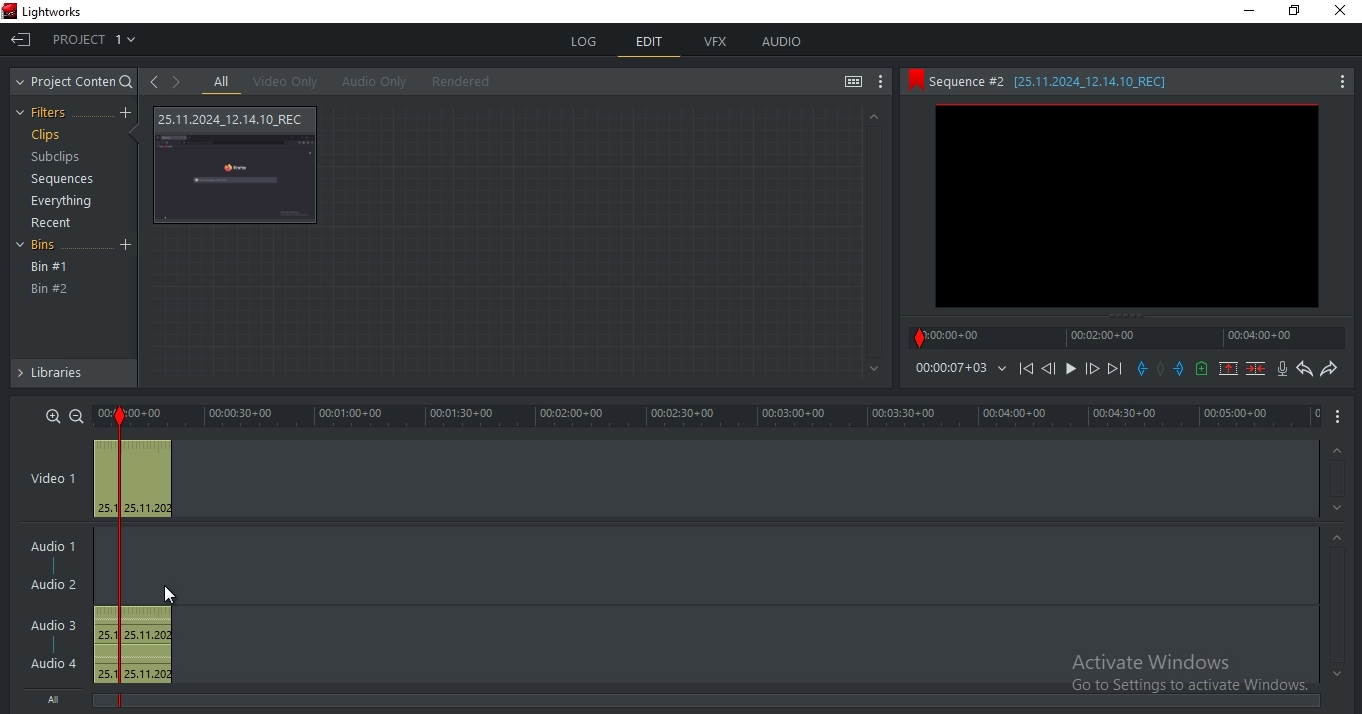 The width and height of the screenshot is (1362, 714). Describe the element at coordinates (1229, 368) in the screenshot. I see `remove marked section` at that location.